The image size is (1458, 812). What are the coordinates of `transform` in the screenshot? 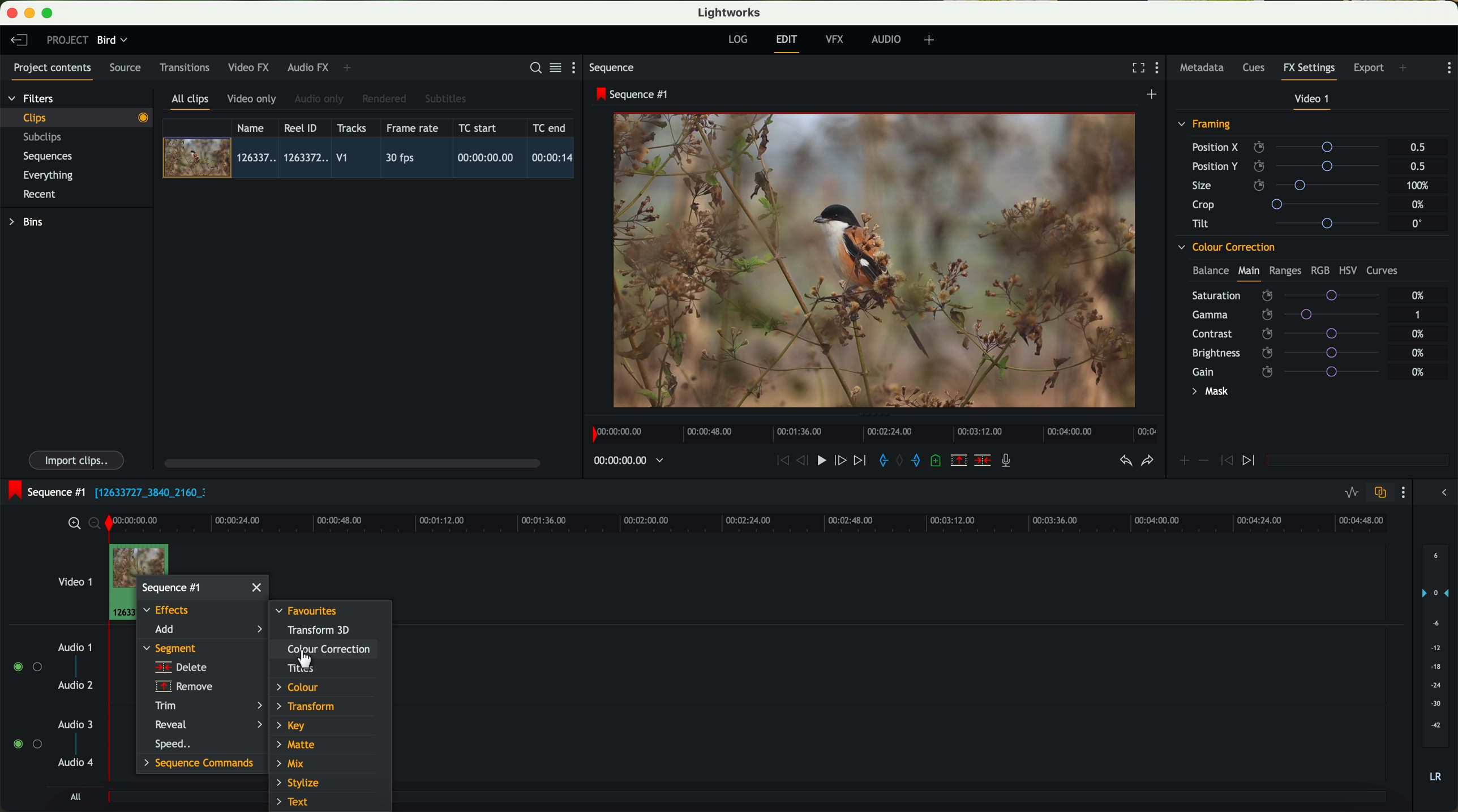 It's located at (306, 706).